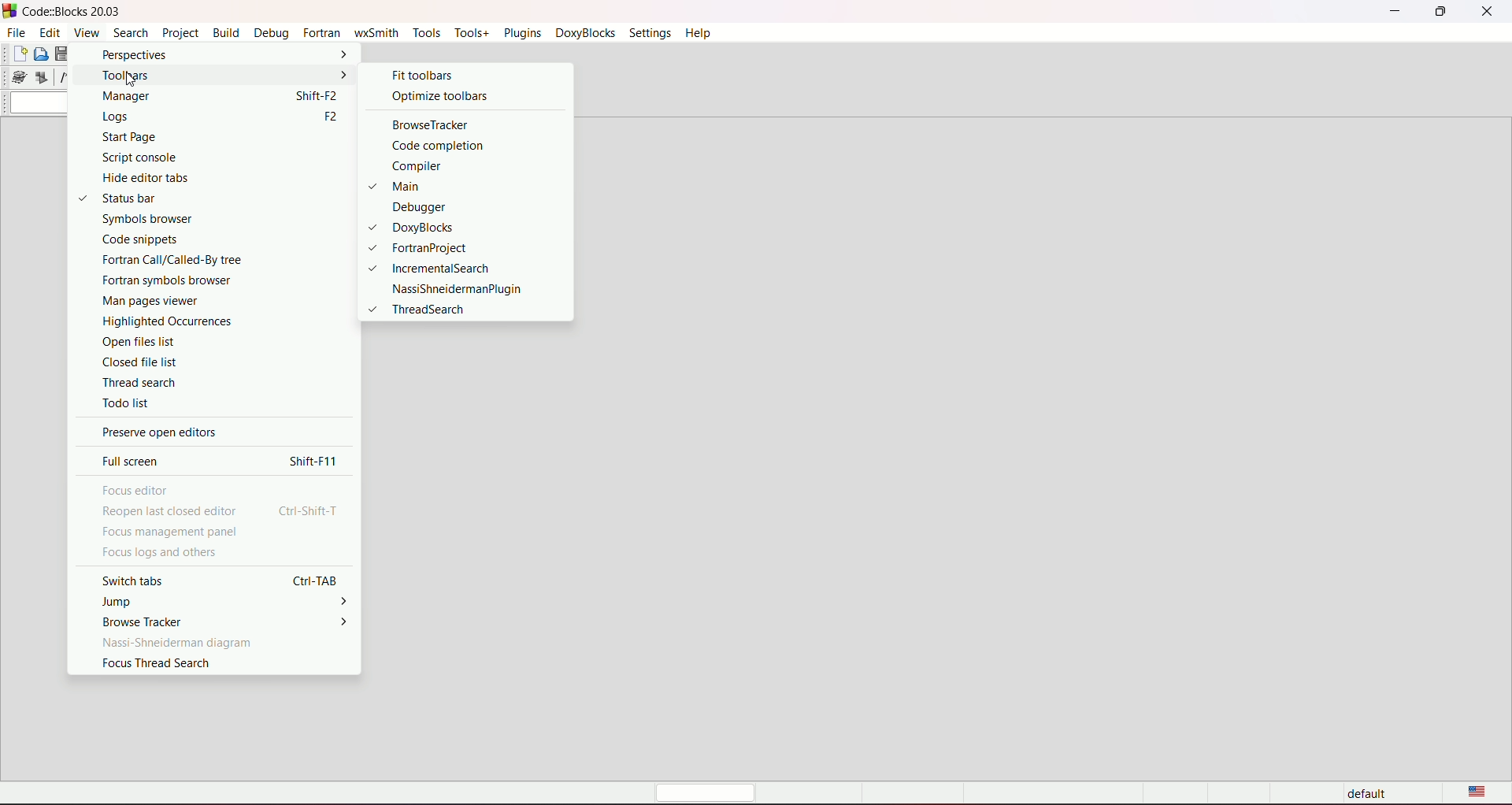 The height and width of the screenshot is (805, 1512). What do you see at coordinates (420, 74) in the screenshot?
I see `fit toolbars` at bounding box center [420, 74].